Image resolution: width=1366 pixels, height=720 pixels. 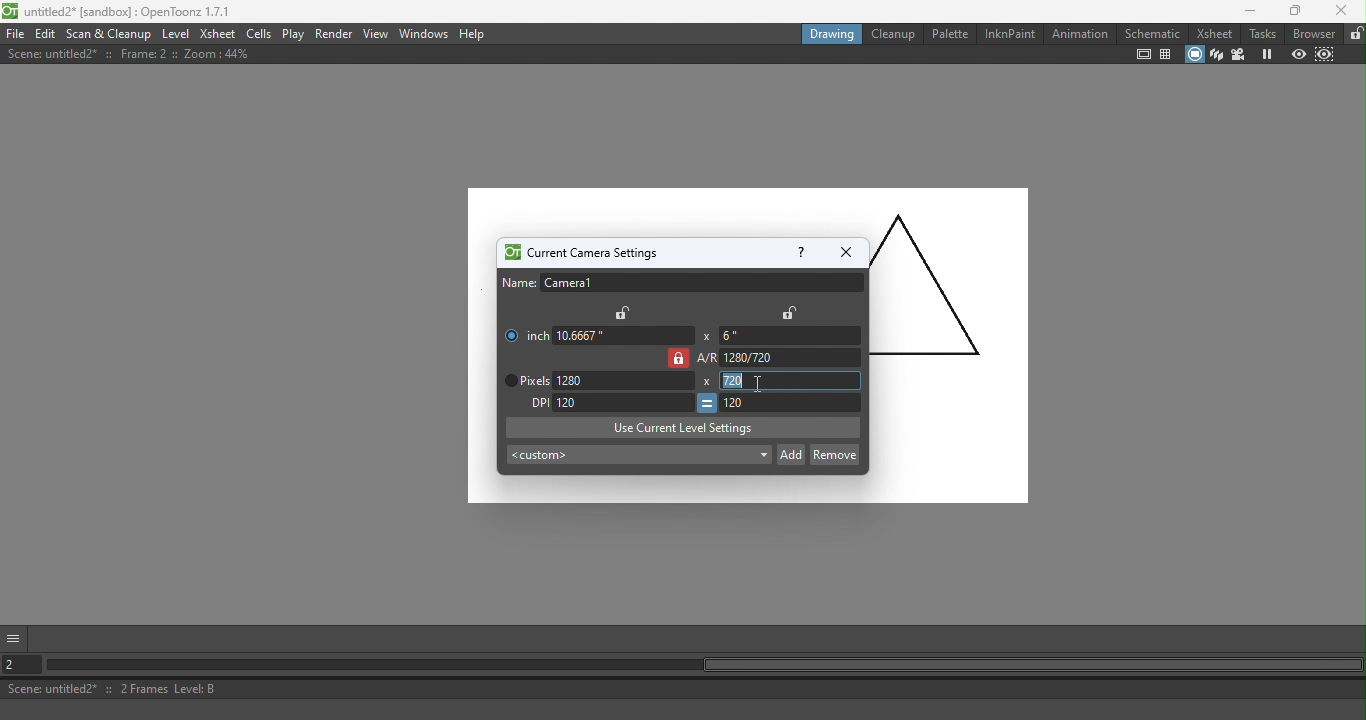 I want to click on Drop down menu, so click(x=637, y=456).